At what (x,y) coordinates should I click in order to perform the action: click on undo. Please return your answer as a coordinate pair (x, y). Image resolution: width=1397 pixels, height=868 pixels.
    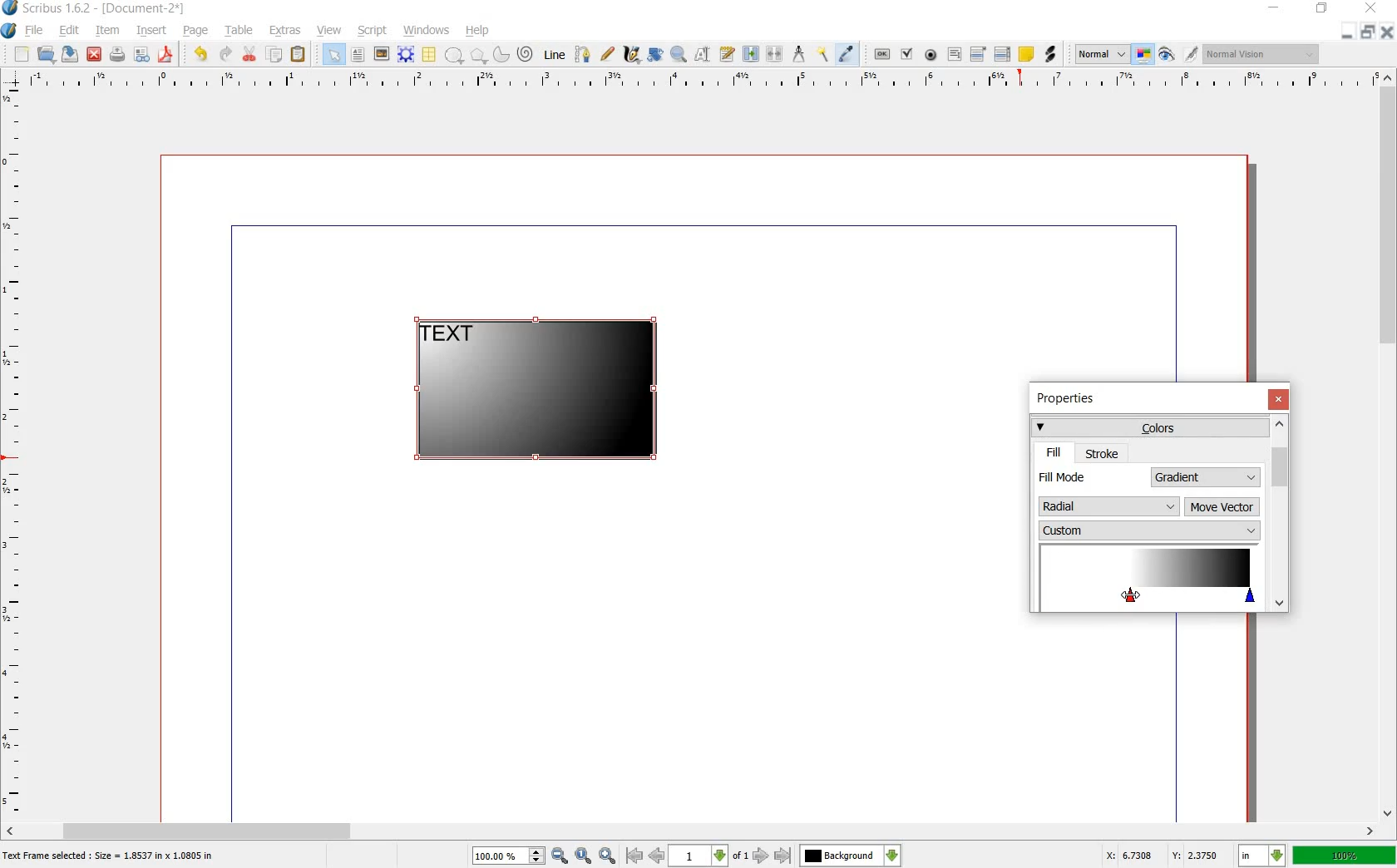
    Looking at the image, I should click on (203, 55).